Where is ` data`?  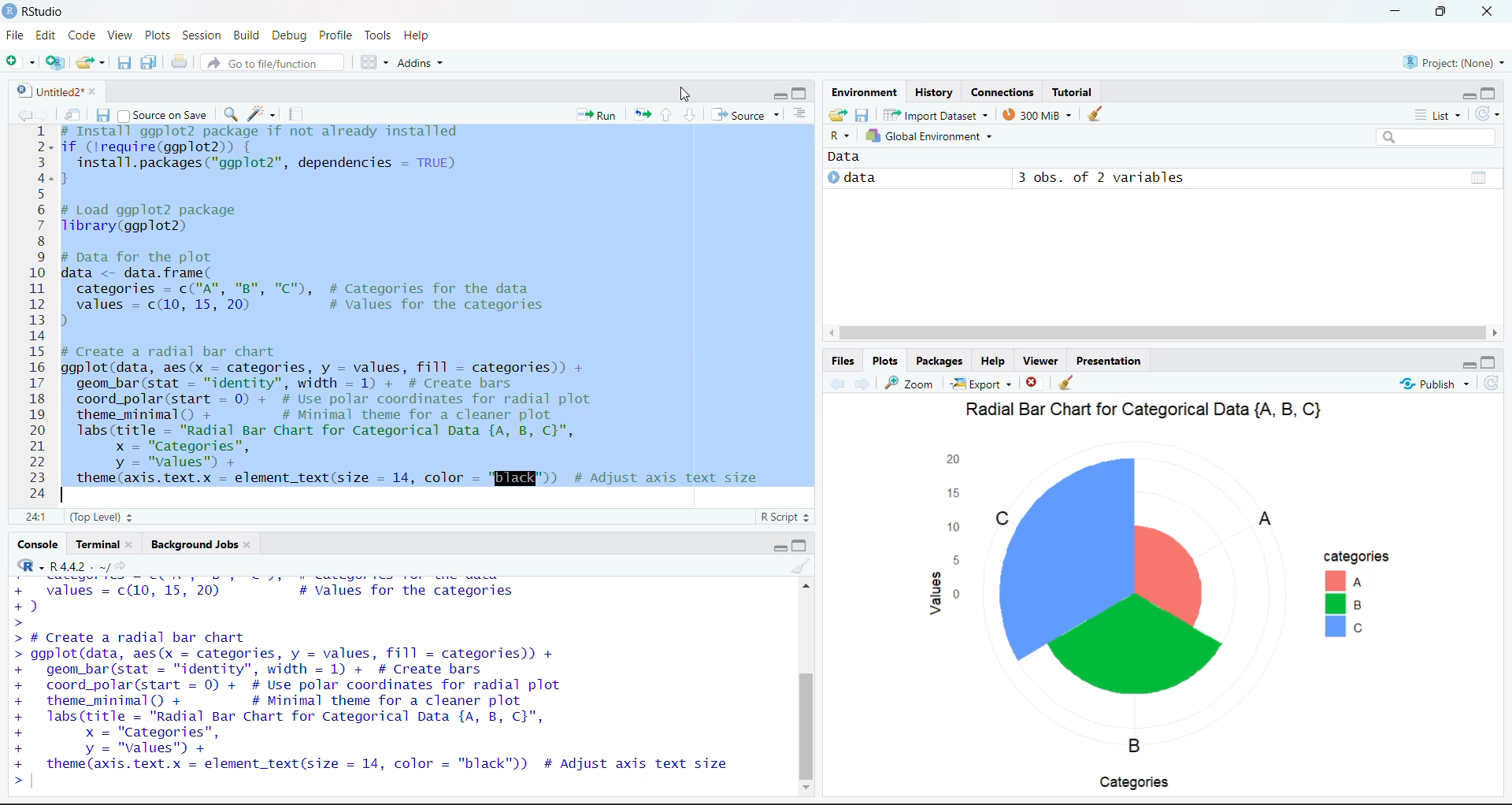  data is located at coordinates (853, 180).